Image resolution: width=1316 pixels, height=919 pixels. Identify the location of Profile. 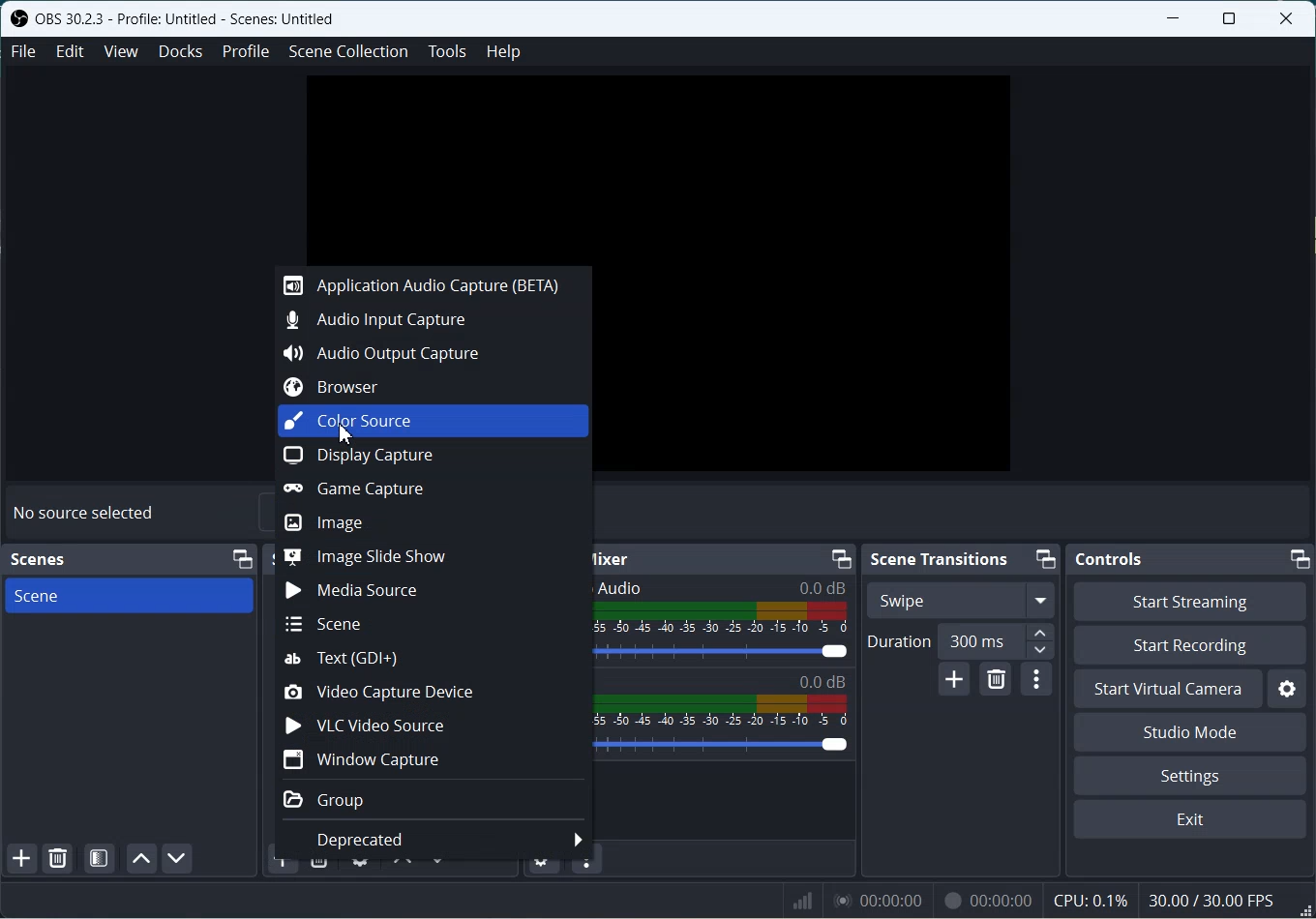
(245, 51).